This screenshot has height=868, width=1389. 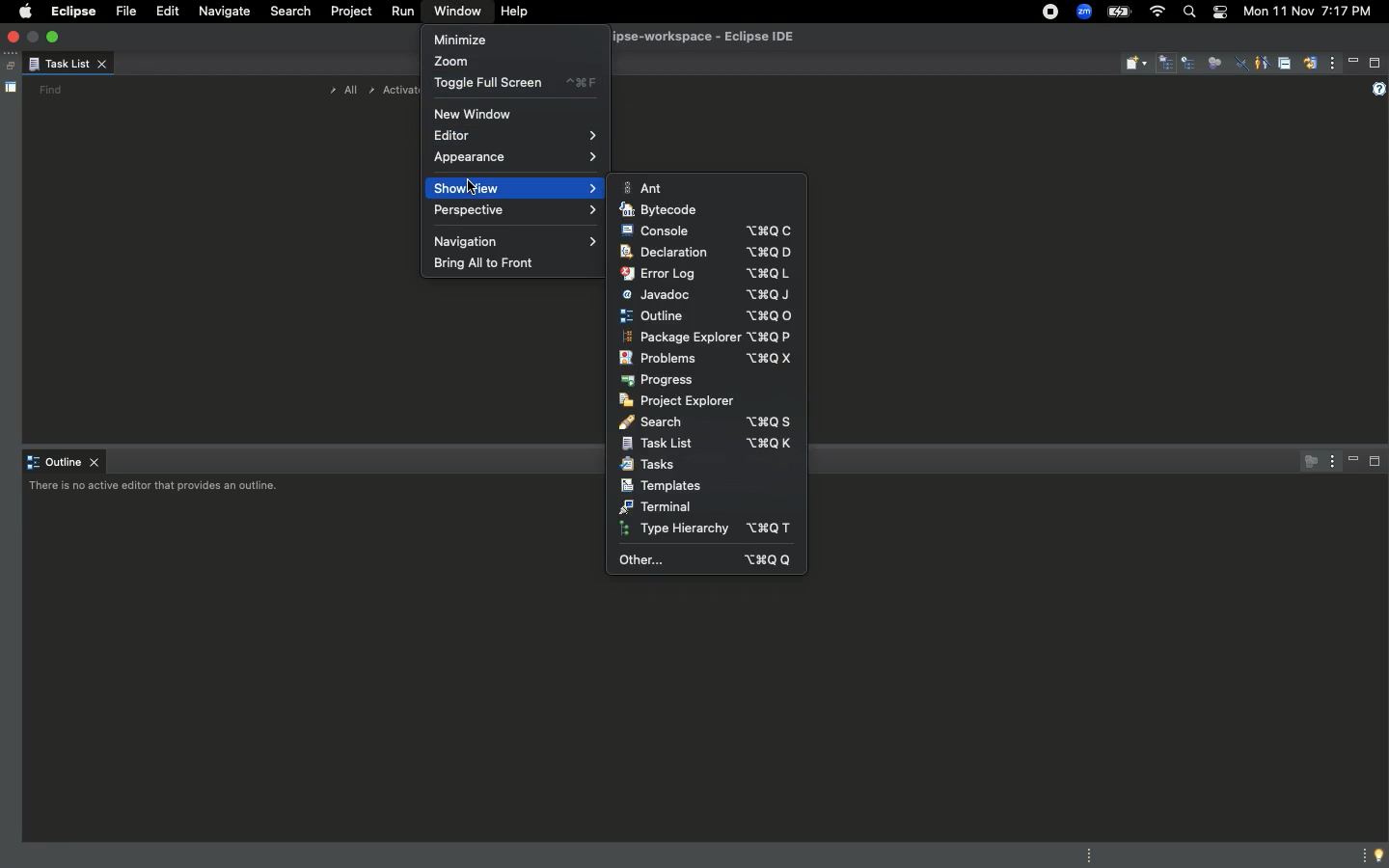 I want to click on Charge, so click(x=1121, y=12).